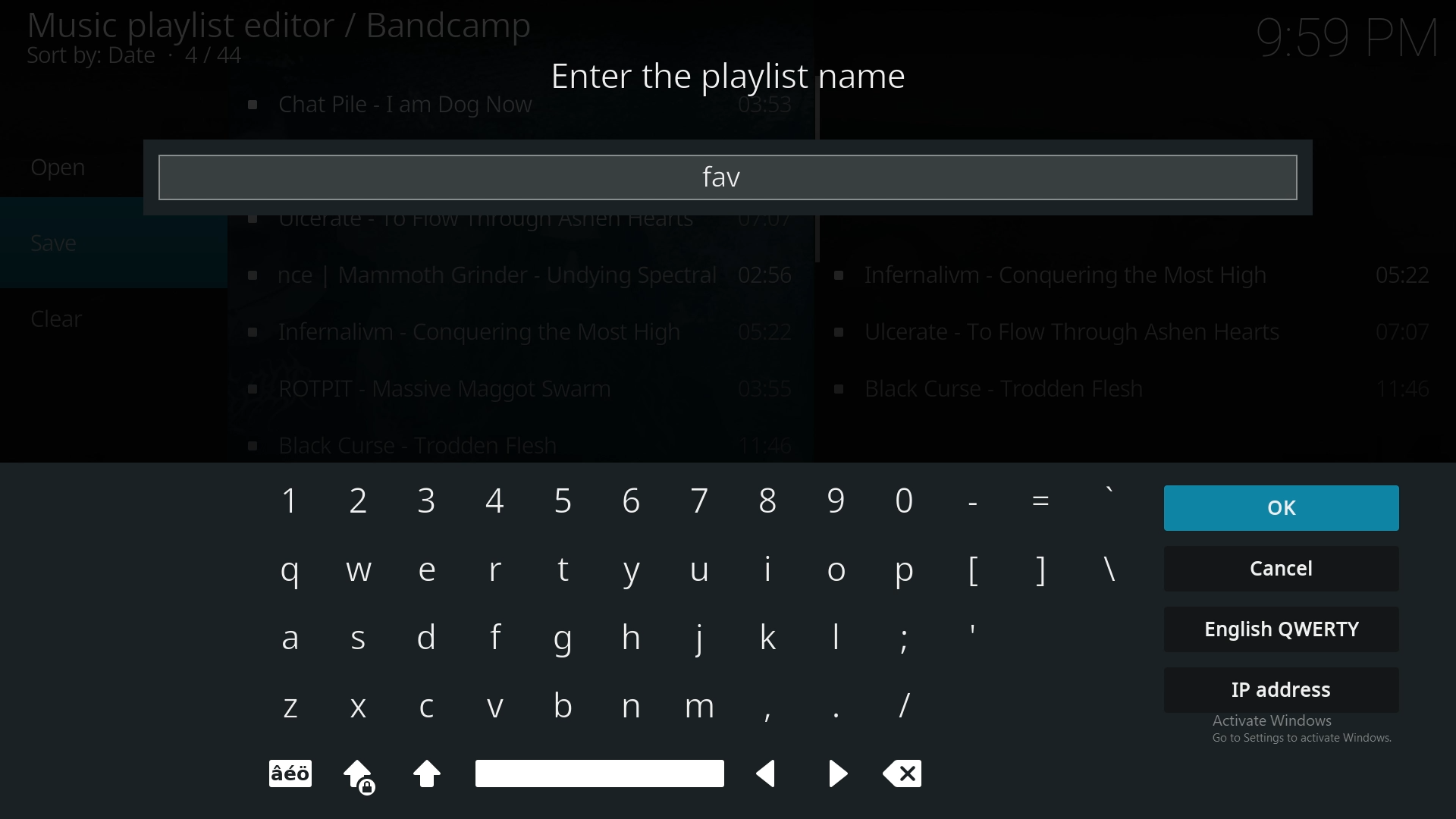 The image size is (1456, 819). Describe the element at coordinates (767, 573) in the screenshot. I see `keyboard input` at that location.